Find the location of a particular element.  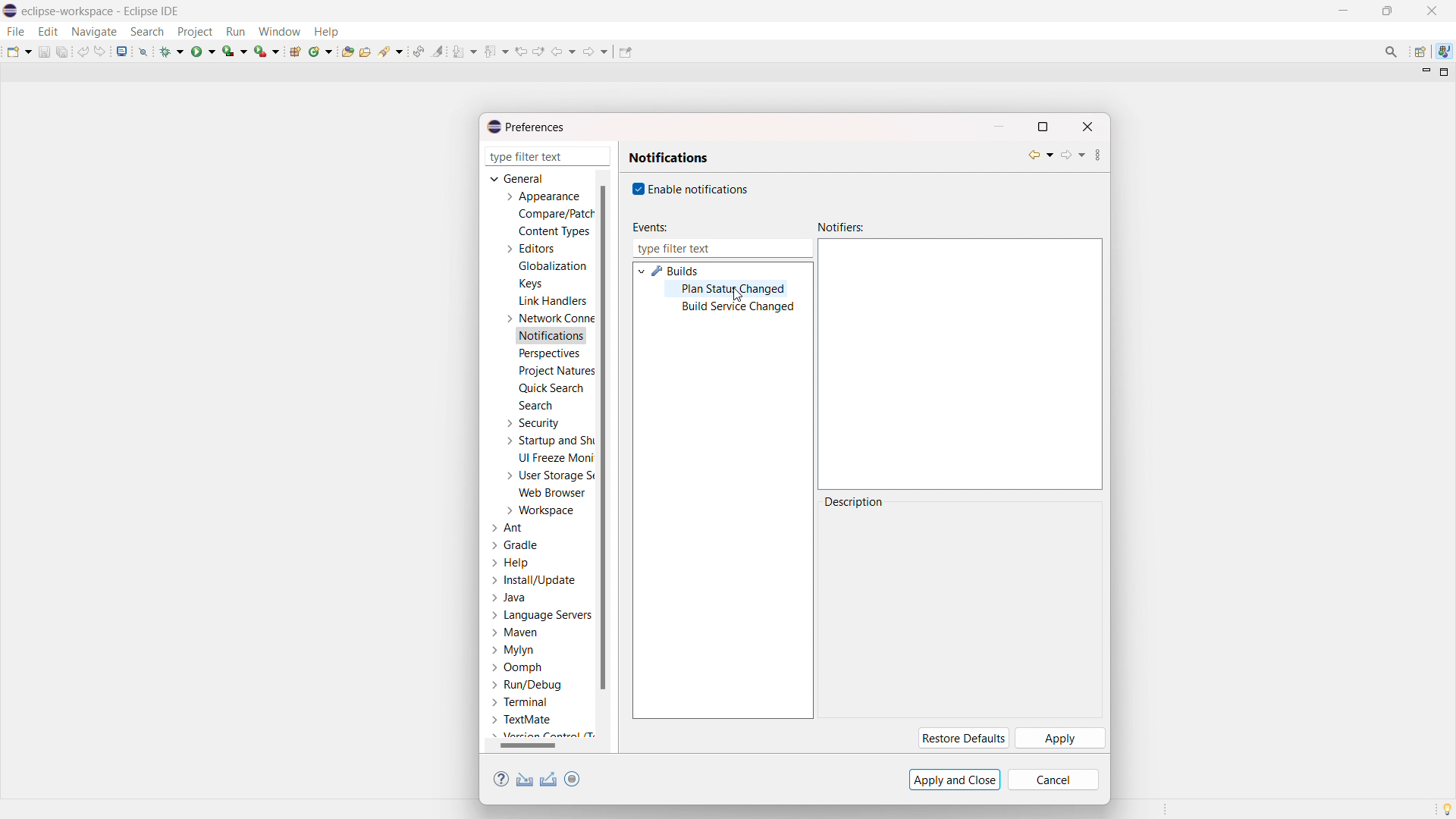

link handlers is located at coordinates (553, 301).